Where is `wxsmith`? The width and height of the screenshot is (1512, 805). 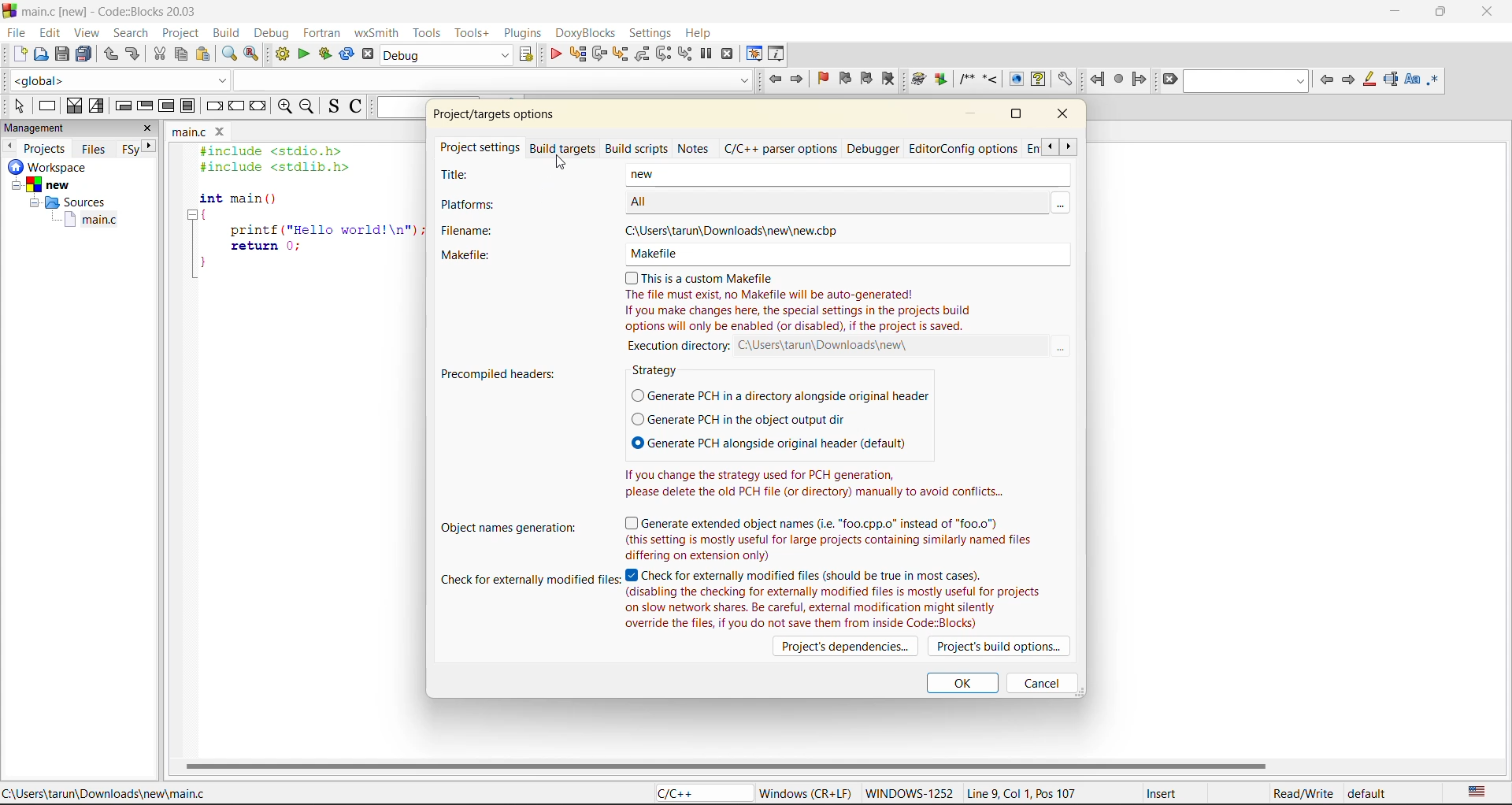 wxsmith is located at coordinates (379, 32).